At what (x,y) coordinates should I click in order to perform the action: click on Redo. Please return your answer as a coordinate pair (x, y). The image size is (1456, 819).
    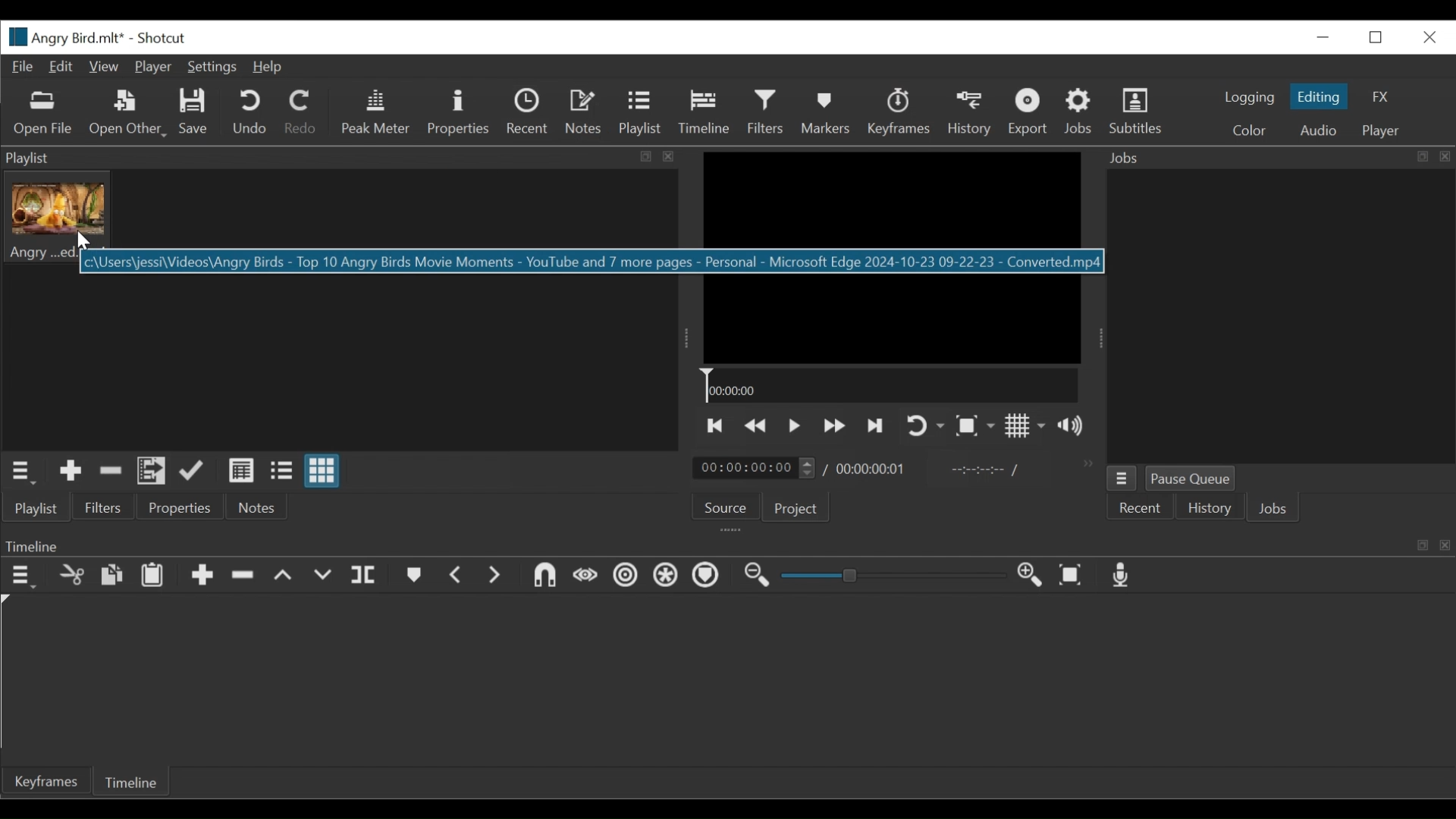
    Looking at the image, I should click on (301, 112).